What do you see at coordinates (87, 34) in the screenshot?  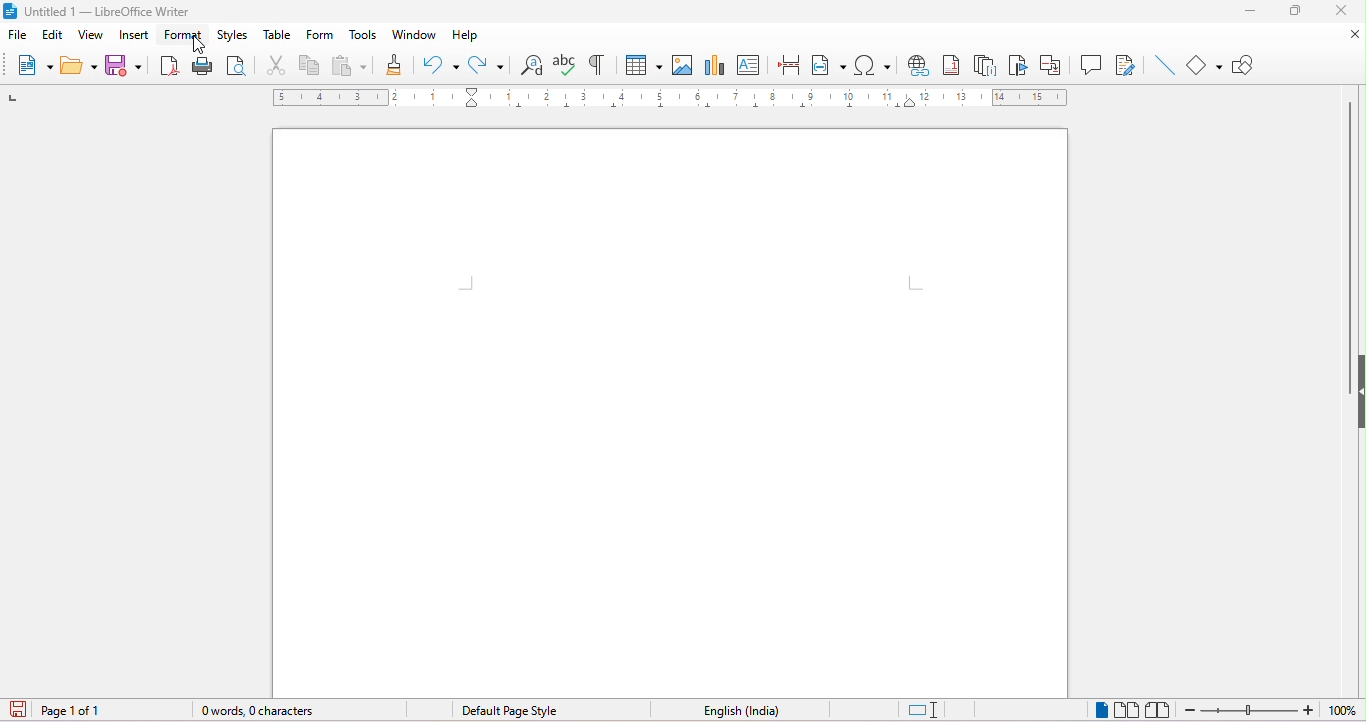 I see `` at bounding box center [87, 34].